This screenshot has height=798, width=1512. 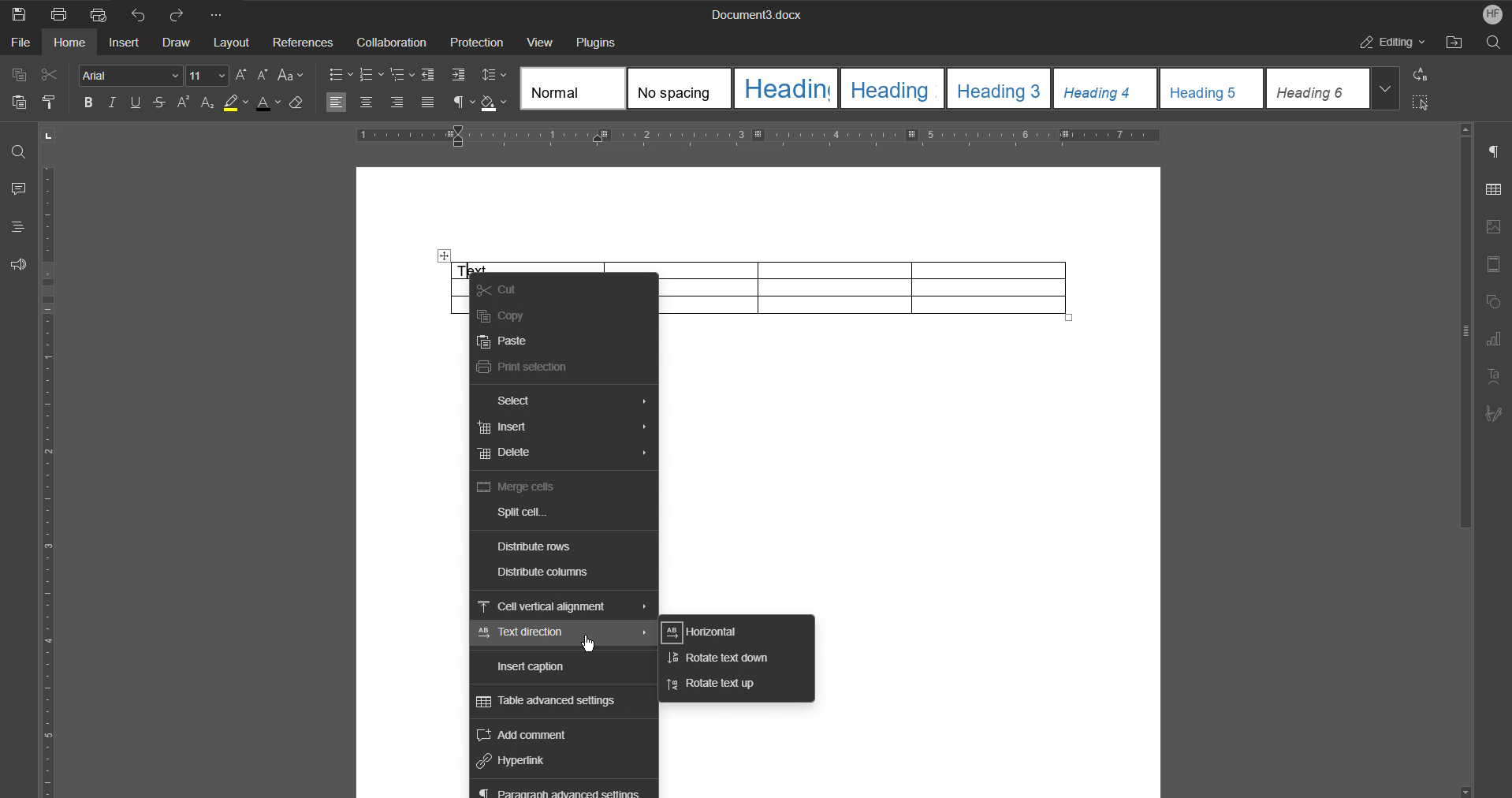 I want to click on vertical scroll bar, so click(x=1463, y=334).